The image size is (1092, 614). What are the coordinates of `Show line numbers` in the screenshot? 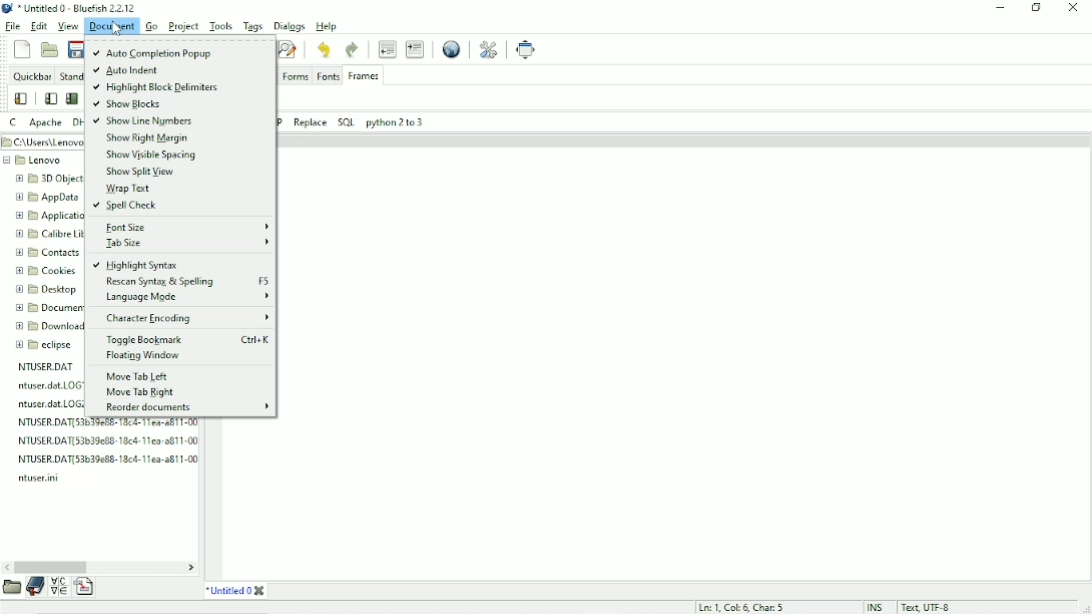 It's located at (145, 121).